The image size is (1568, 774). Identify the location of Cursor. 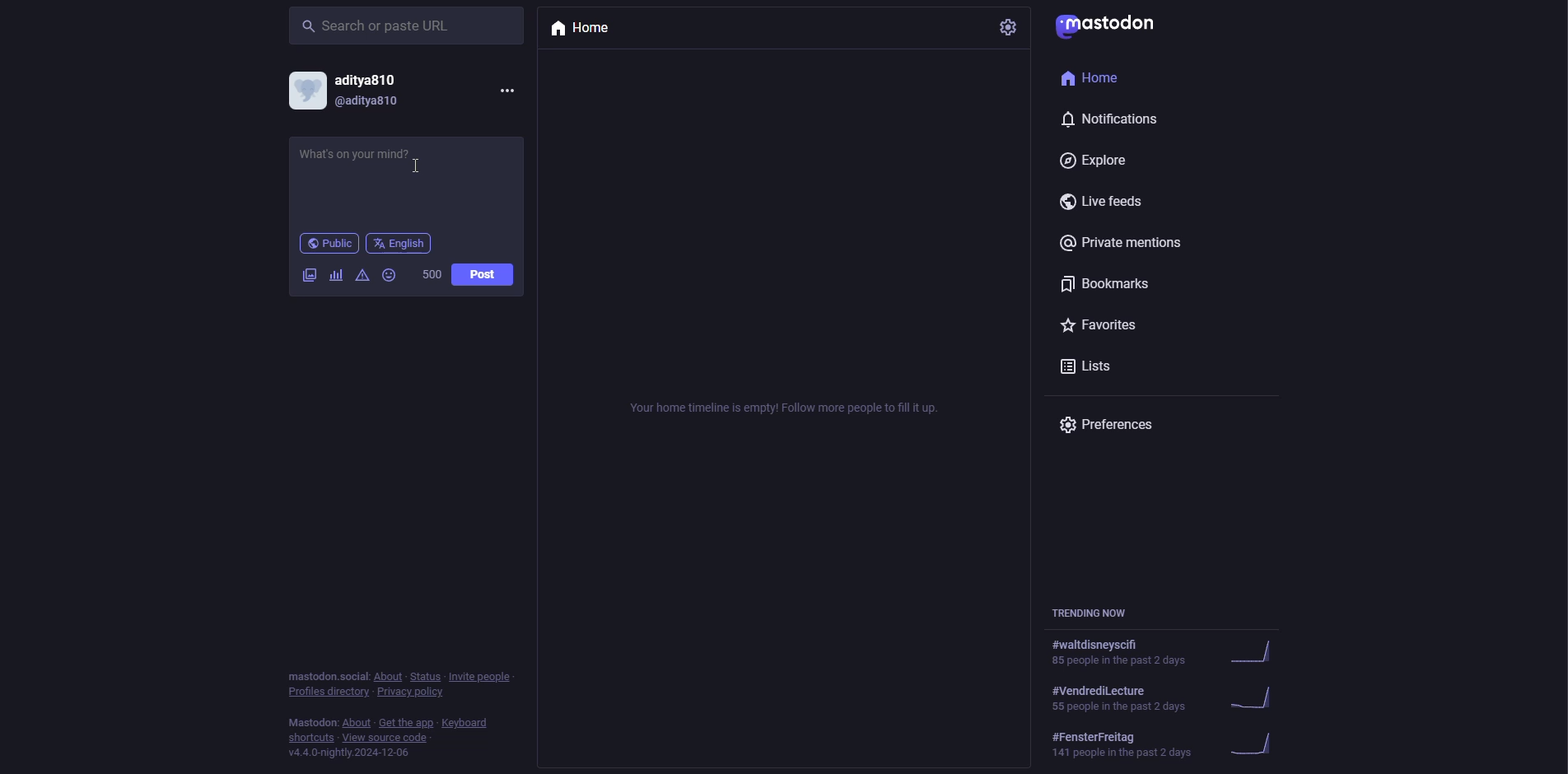
(417, 168).